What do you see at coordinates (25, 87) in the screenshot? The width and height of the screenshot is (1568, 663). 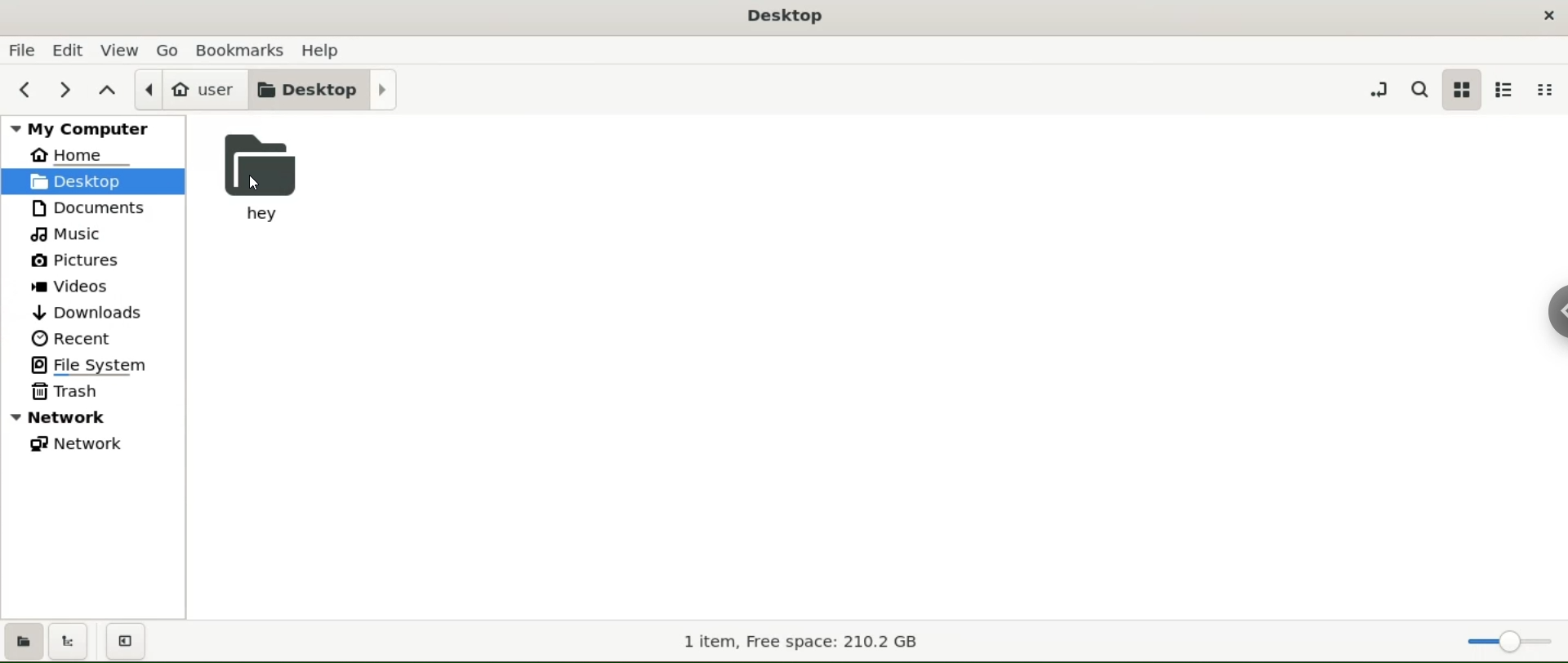 I see `previous` at bounding box center [25, 87].